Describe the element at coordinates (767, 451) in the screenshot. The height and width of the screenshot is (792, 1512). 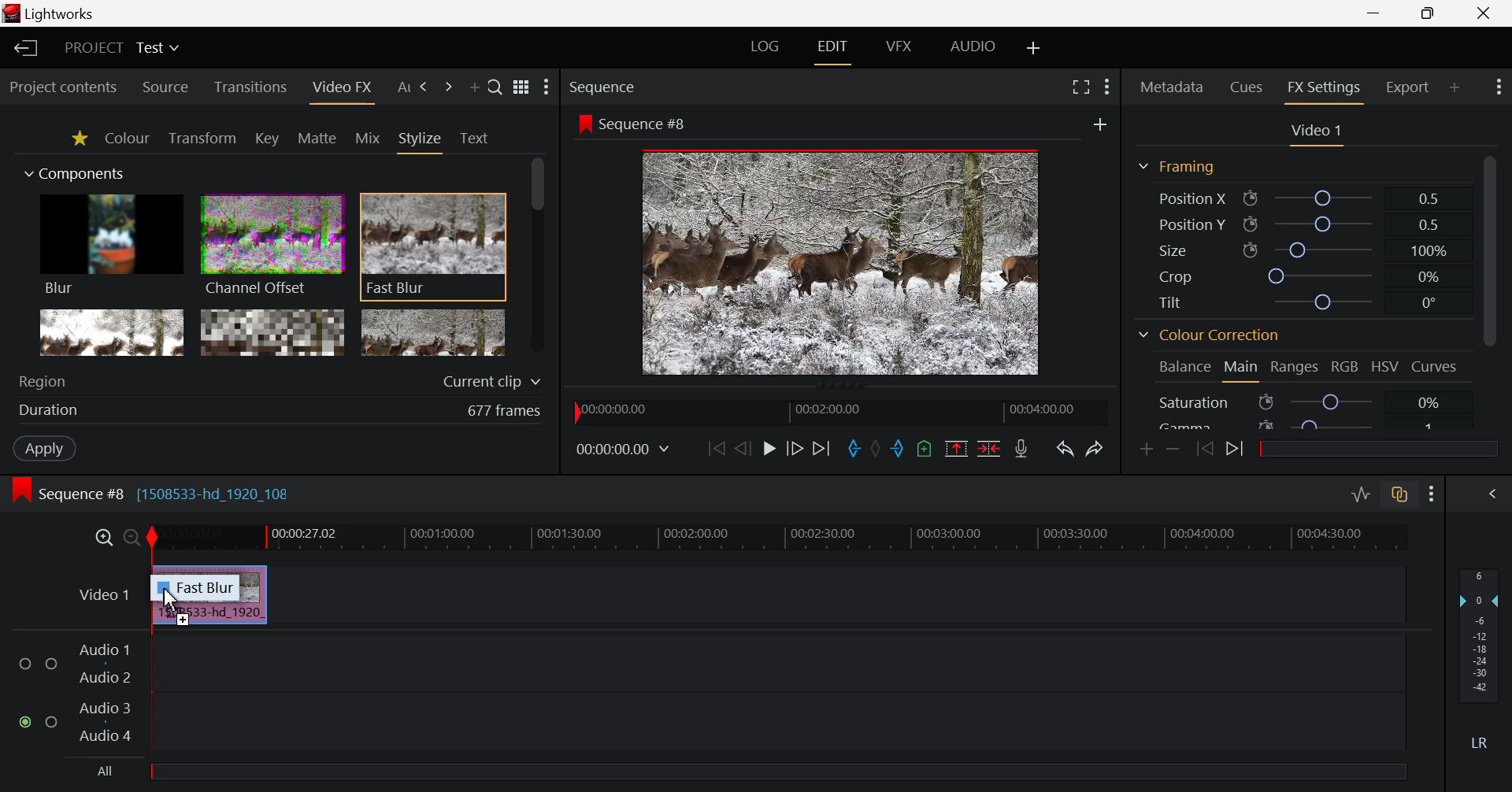
I see `Play` at that location.